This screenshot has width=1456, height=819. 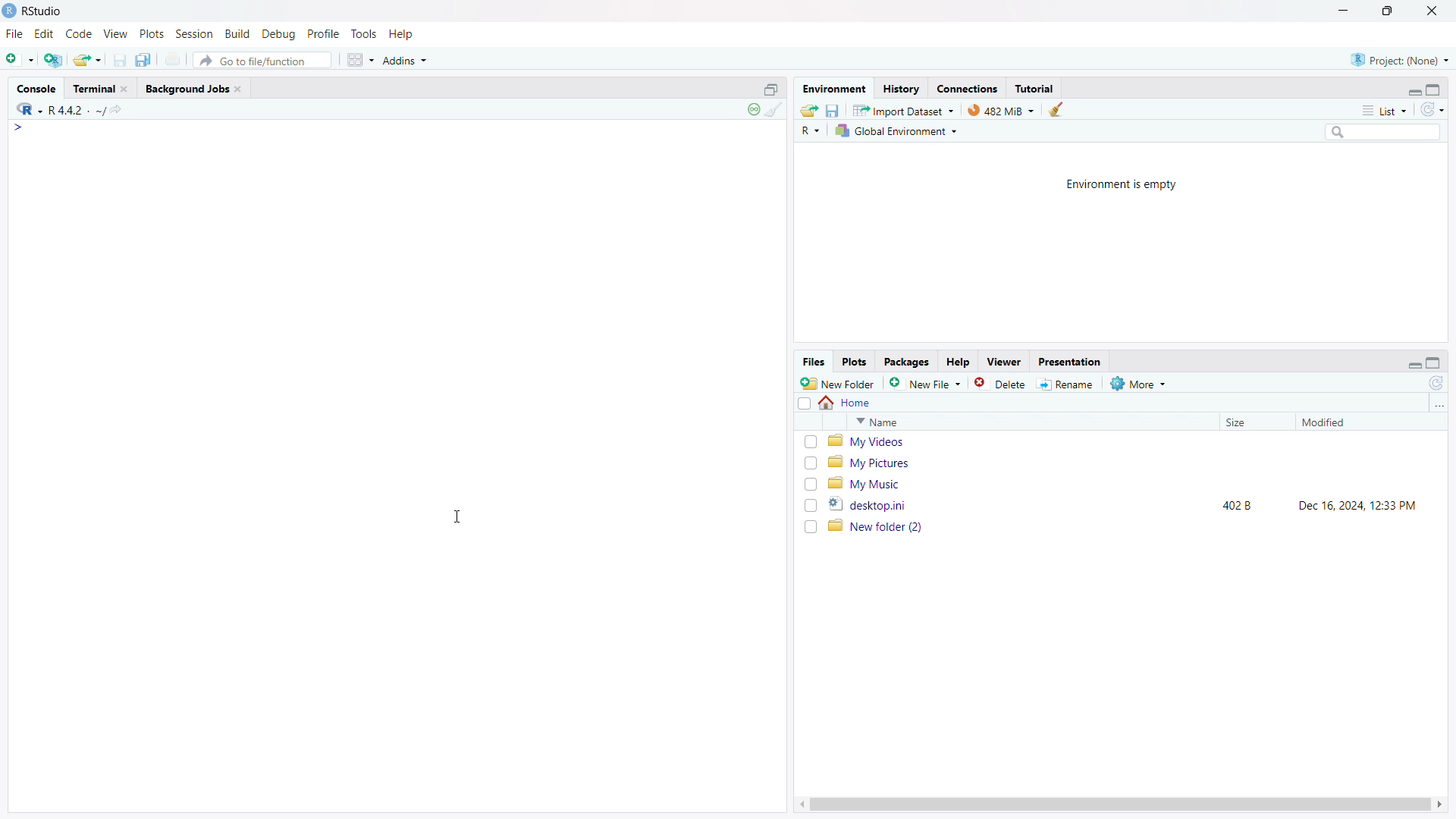 I want to click on import dataset, so click(x=904, y=109).